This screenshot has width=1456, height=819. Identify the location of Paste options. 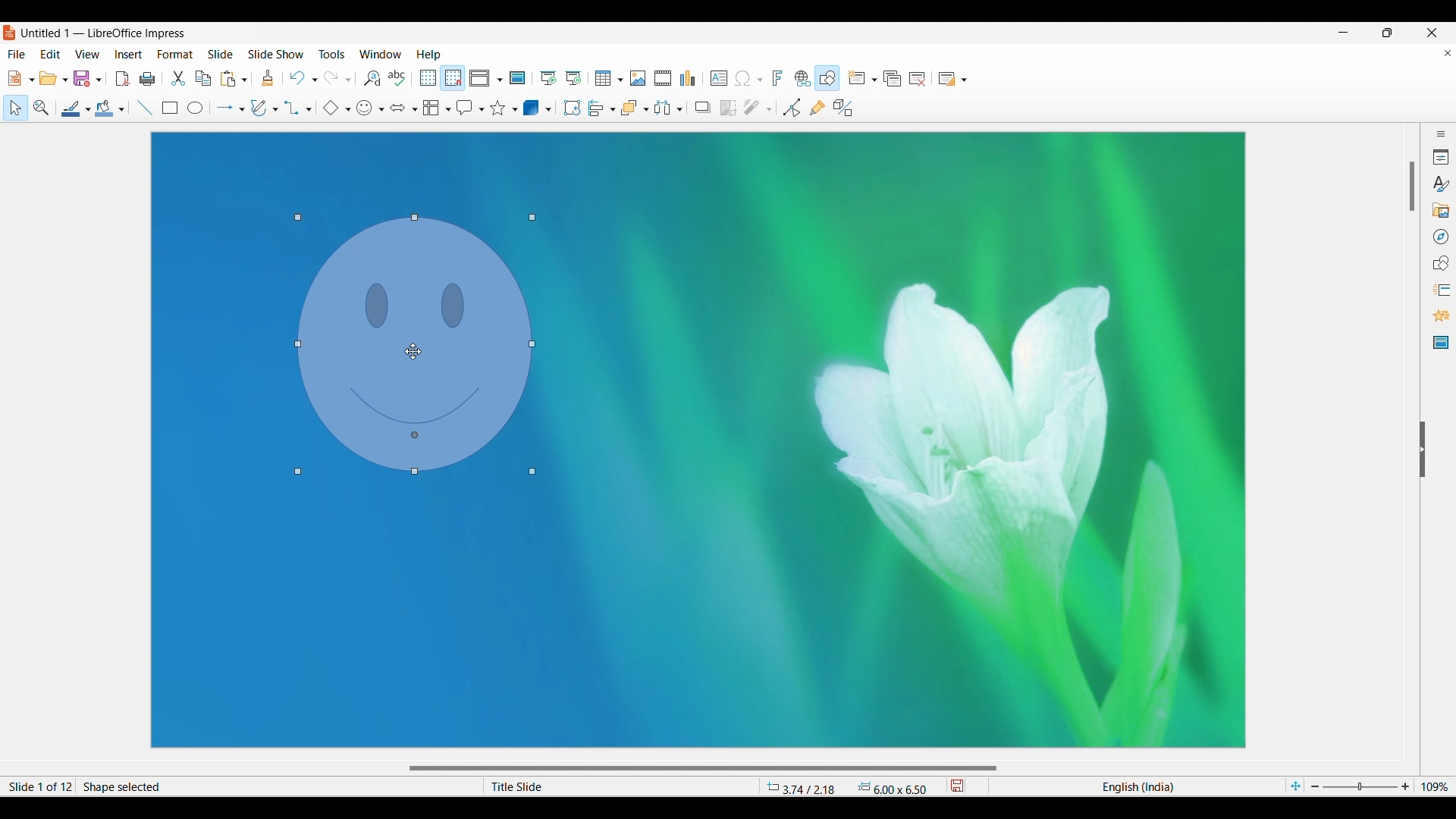
(244, 80).